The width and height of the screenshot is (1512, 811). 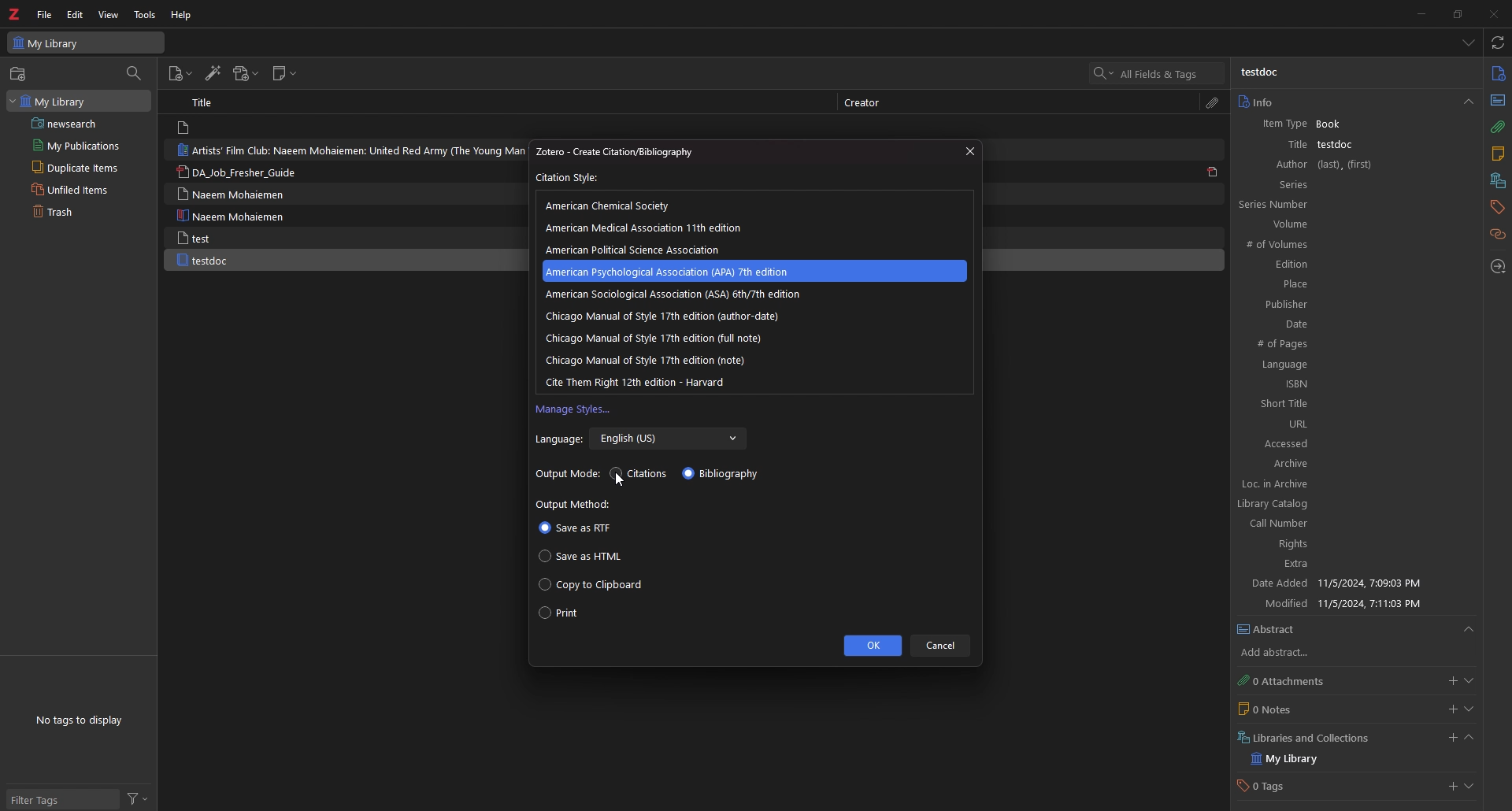 What do you see at coordinates (1279, 125) in the screenshot?
I see `item Type` at bounding box center [1279, 125].